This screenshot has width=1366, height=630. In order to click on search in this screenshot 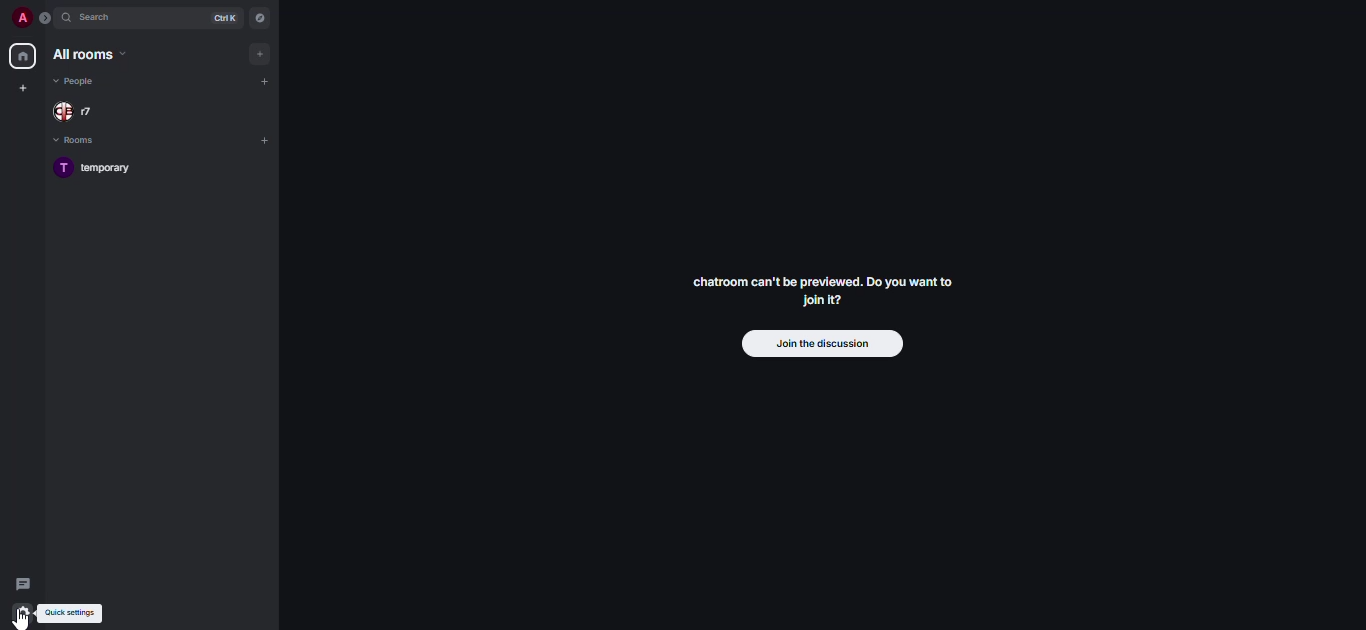, I will do `click(103, 19)`.